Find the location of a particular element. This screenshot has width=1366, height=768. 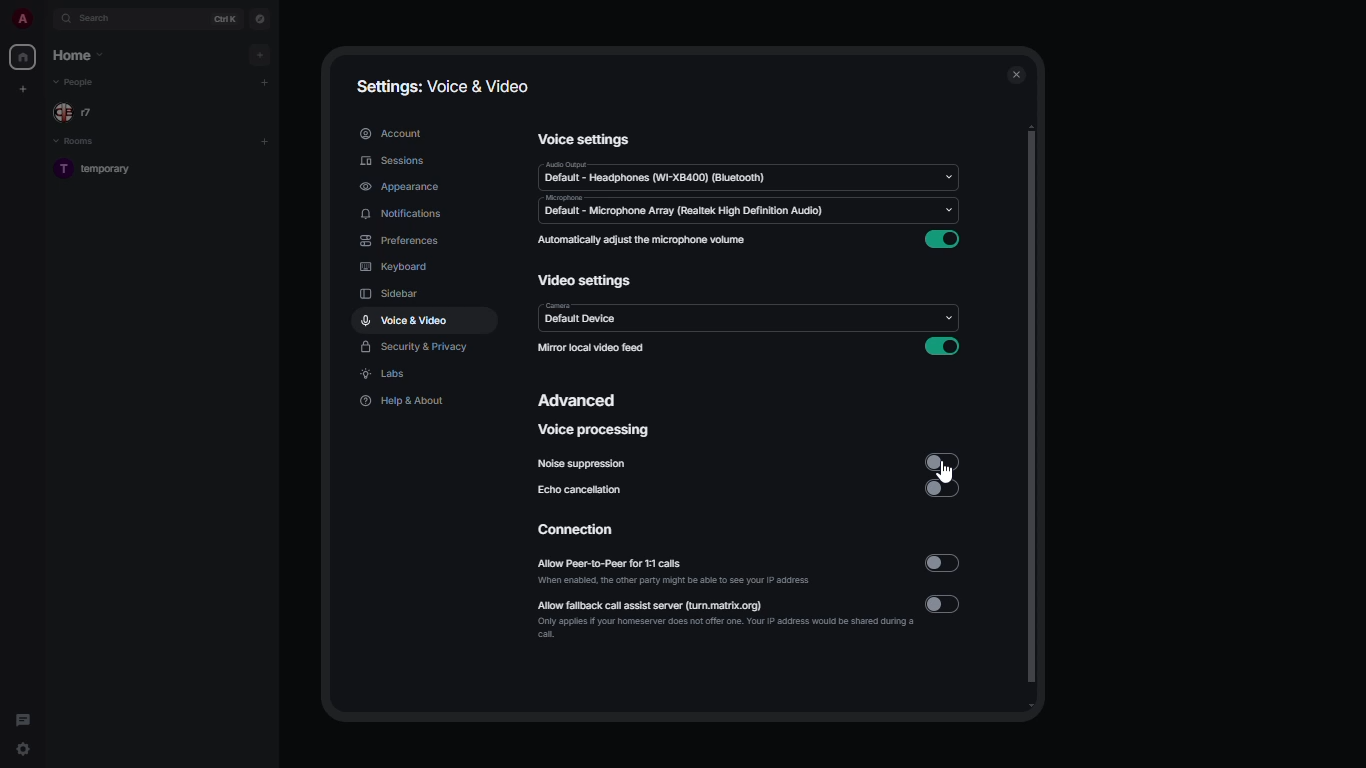

disabled is located at coordinates (943, 562).